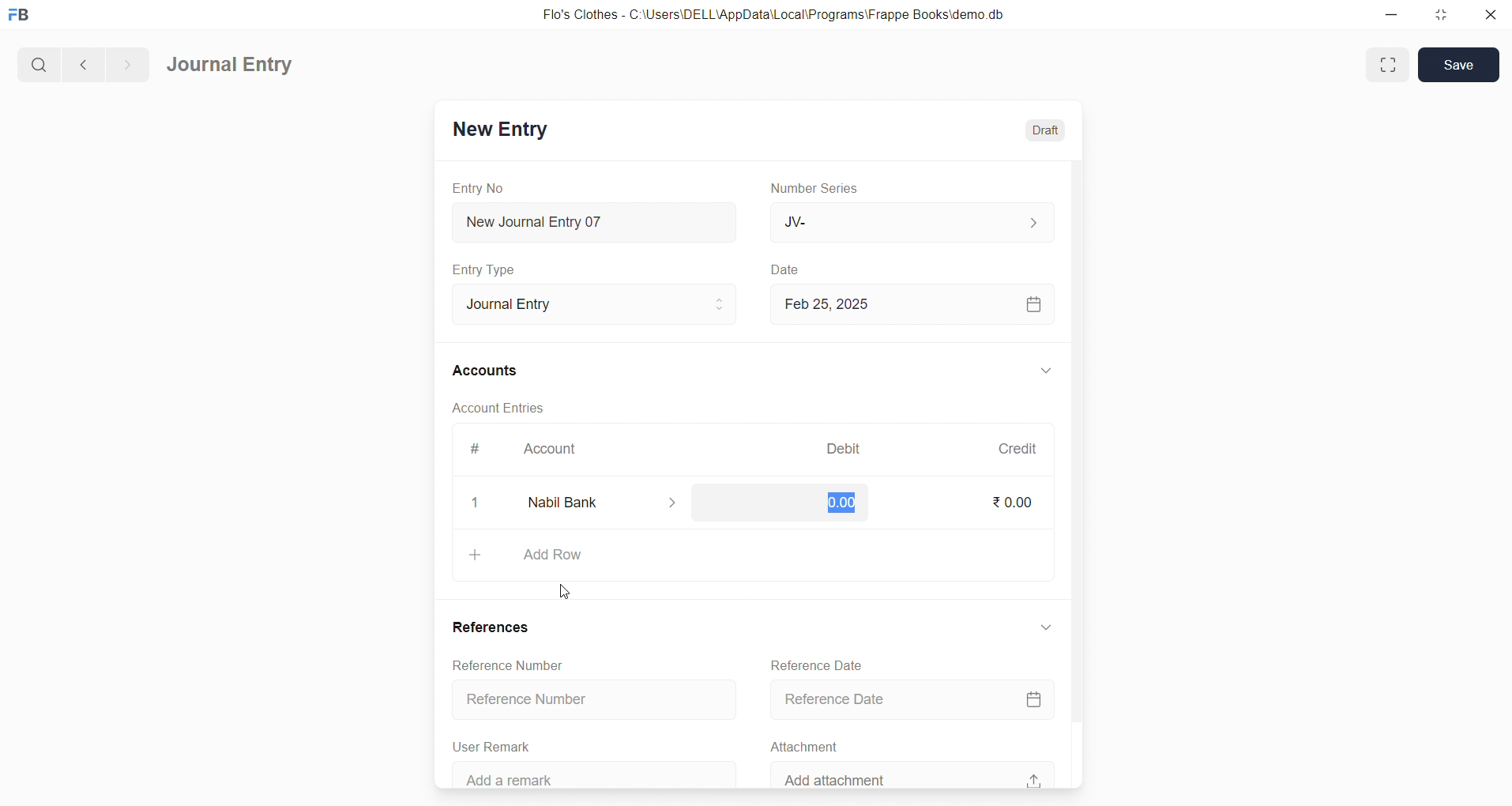  Describe the element at coordinates (473, 449) in the screenshot. I see `#` at that location.